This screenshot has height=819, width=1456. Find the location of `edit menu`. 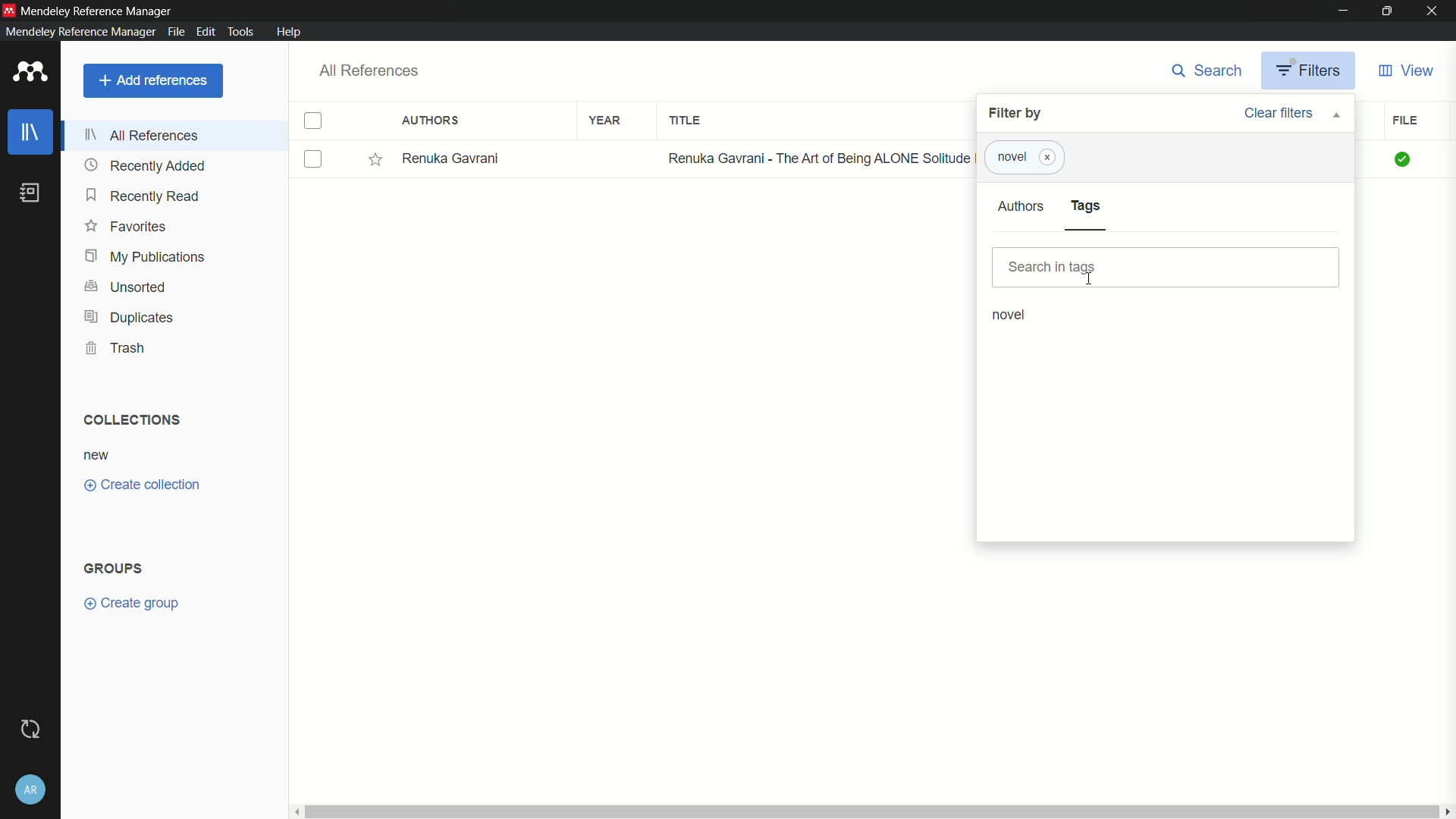

edit menu is located at coordinates (206, 32).